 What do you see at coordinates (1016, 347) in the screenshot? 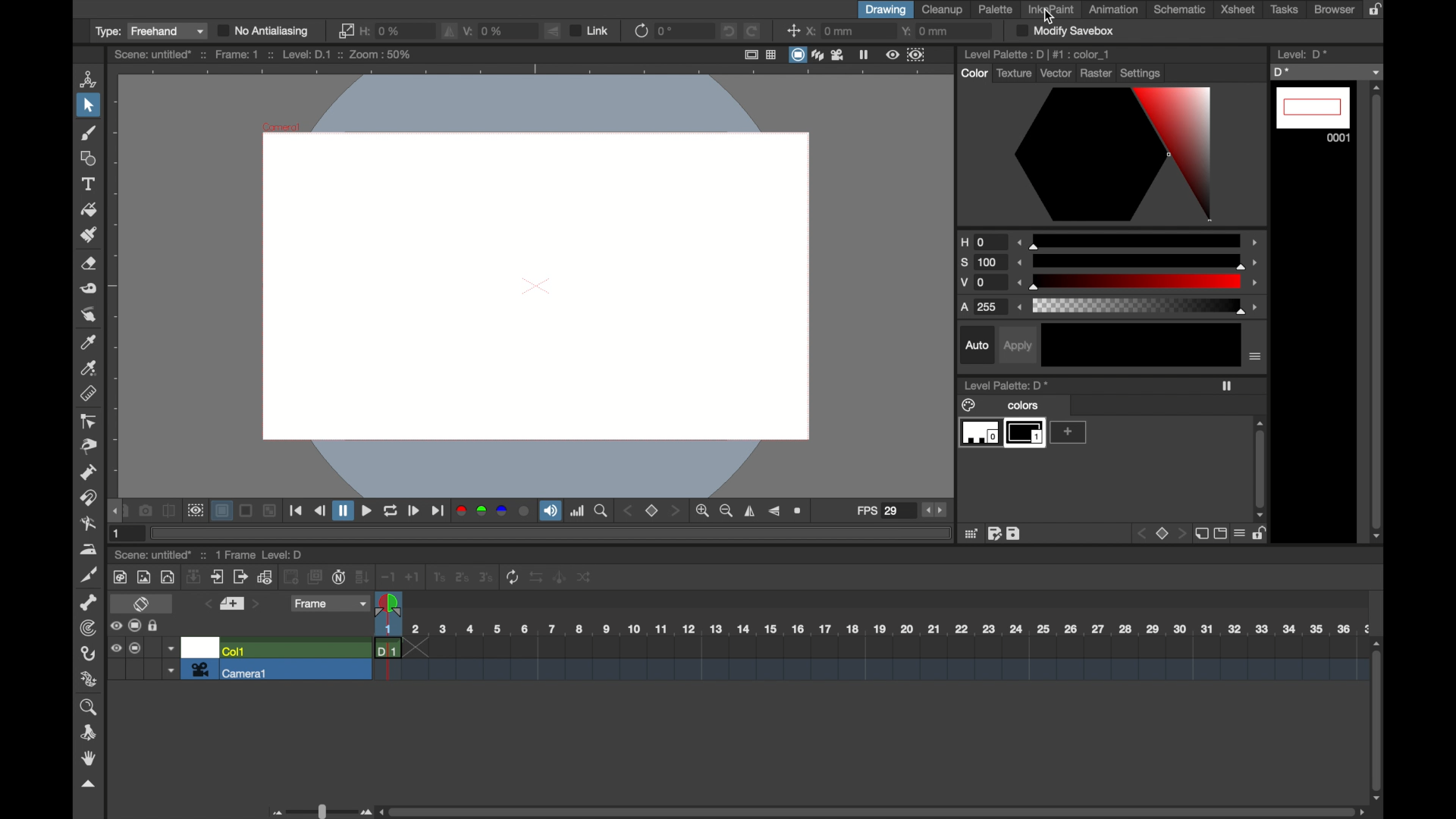
I see `apply` at bounding box center [1016, 347].